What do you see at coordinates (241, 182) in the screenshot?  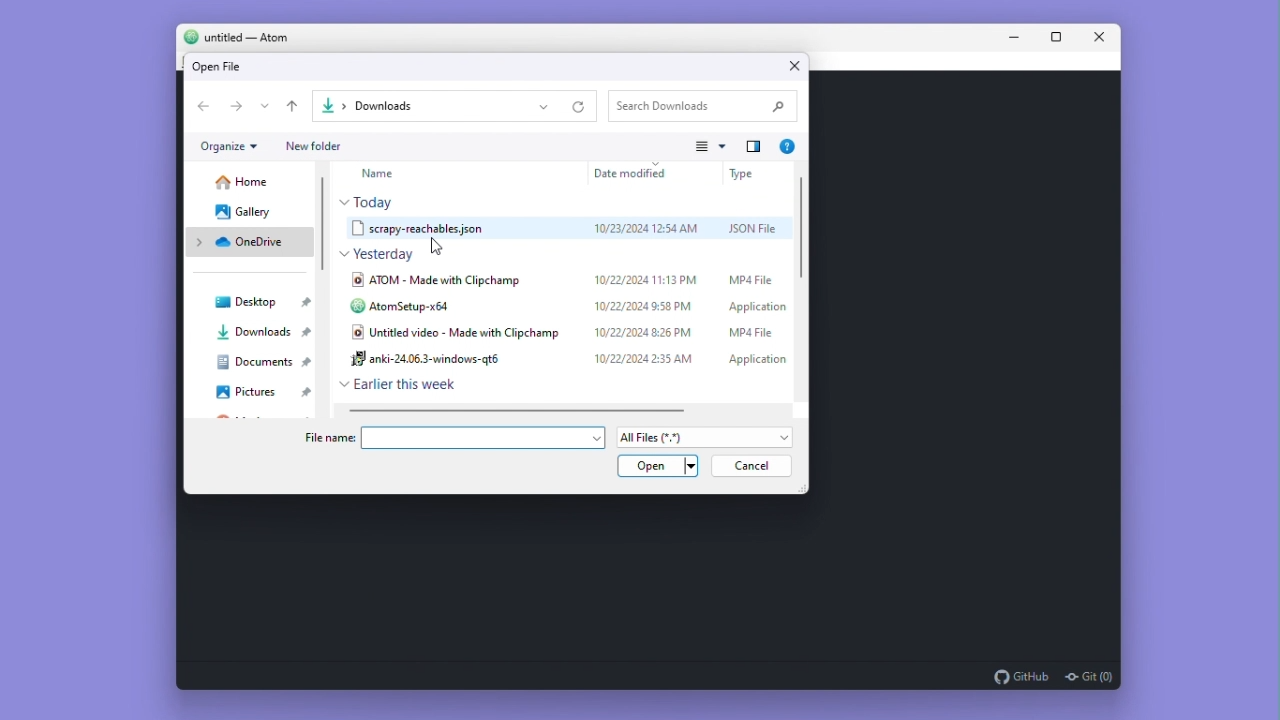 I see `Home` at bounding box center [241, 182].